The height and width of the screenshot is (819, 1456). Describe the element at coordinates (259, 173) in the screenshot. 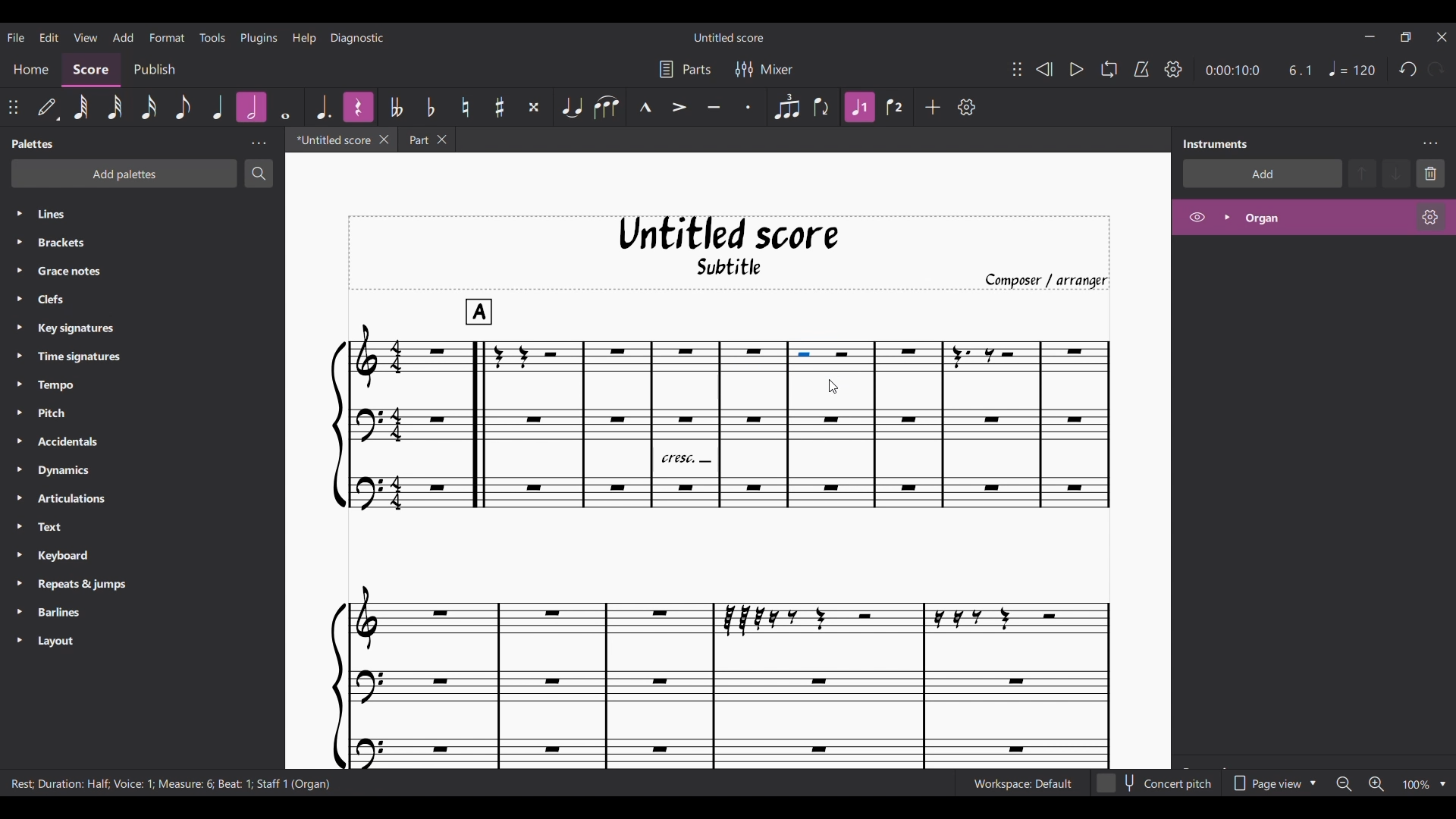

I see `Search` at that location.